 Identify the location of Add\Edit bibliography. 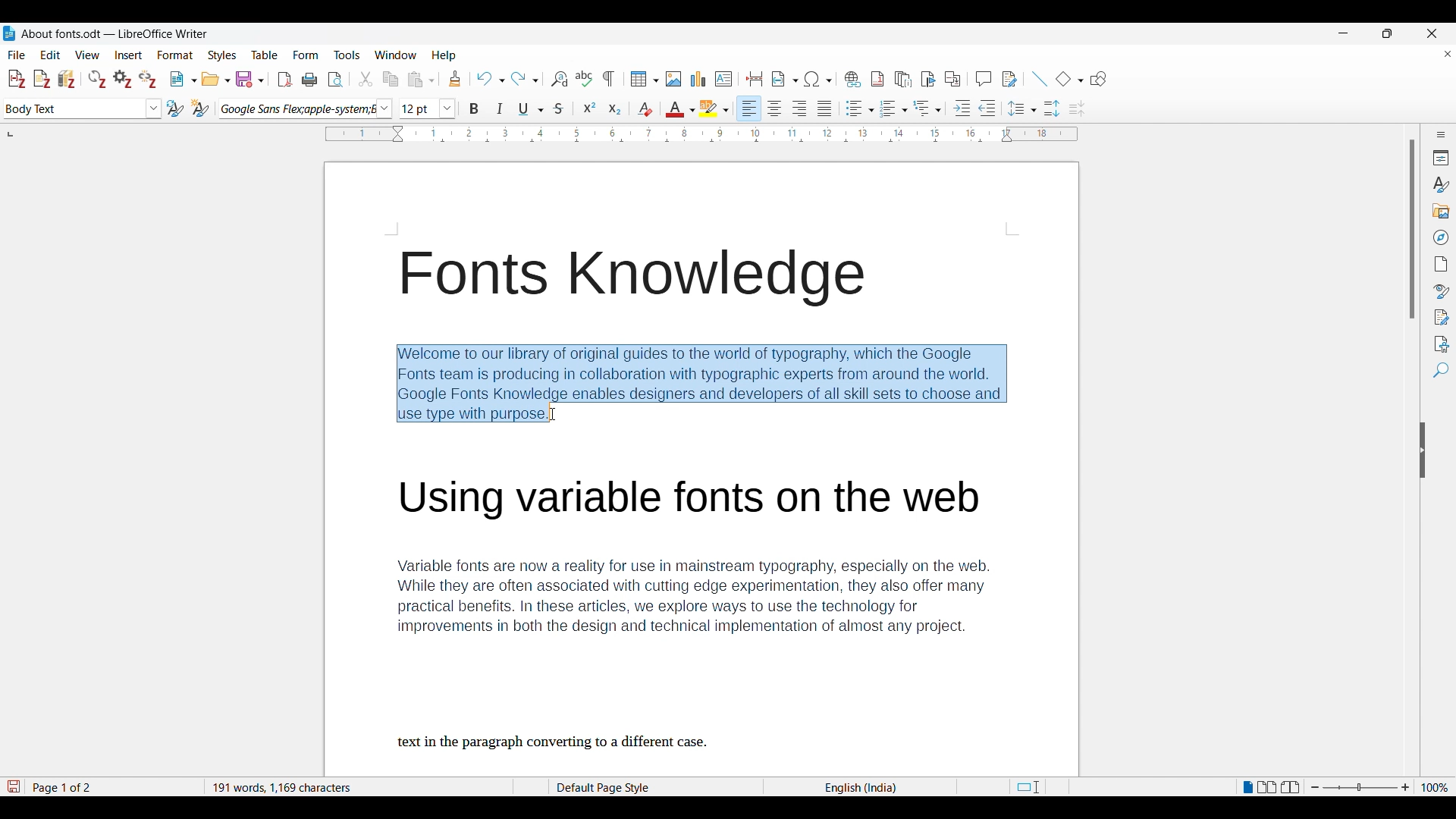
(67, 79).